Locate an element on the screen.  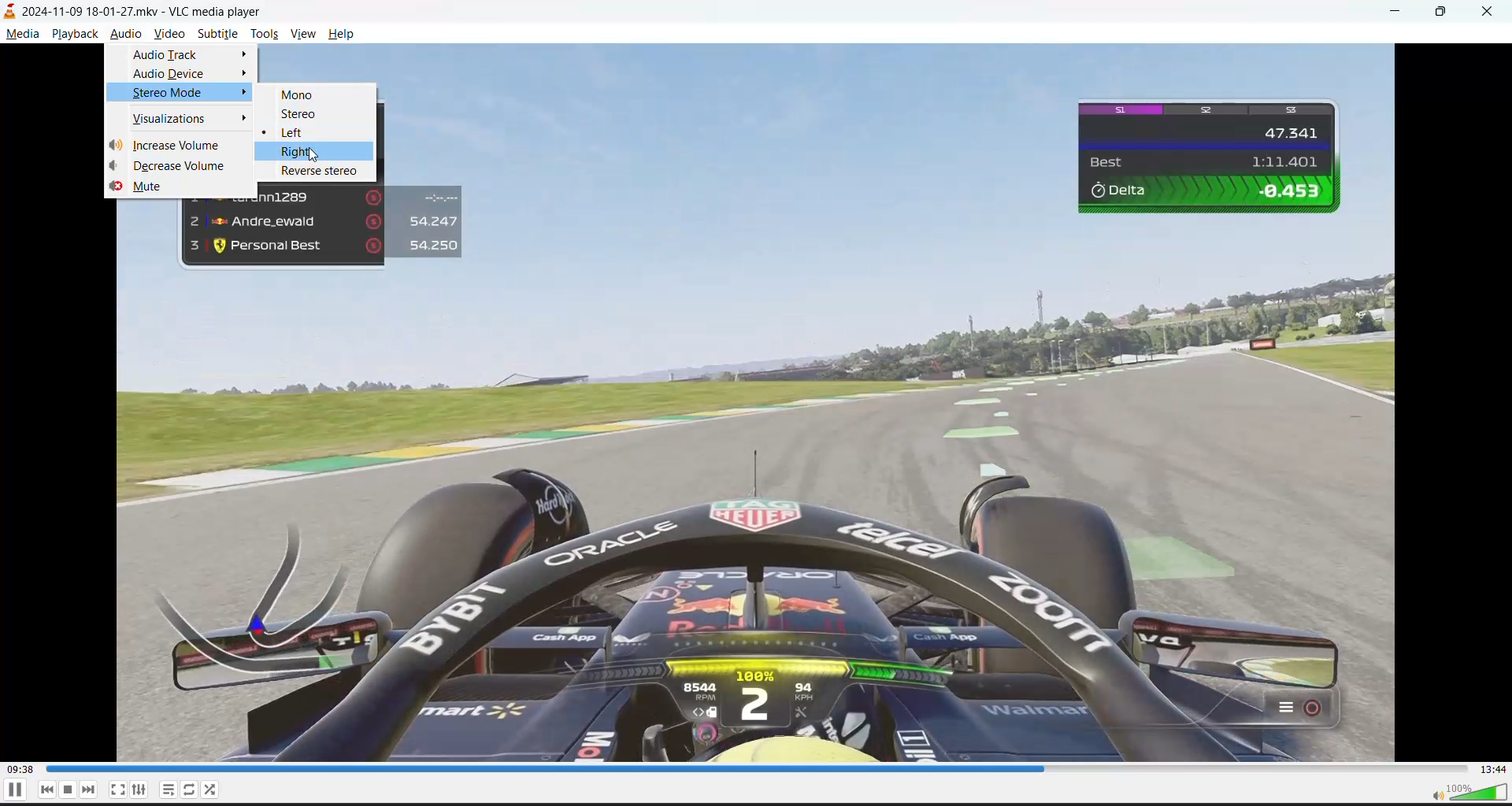
tools is located at coordinates (264, 36).